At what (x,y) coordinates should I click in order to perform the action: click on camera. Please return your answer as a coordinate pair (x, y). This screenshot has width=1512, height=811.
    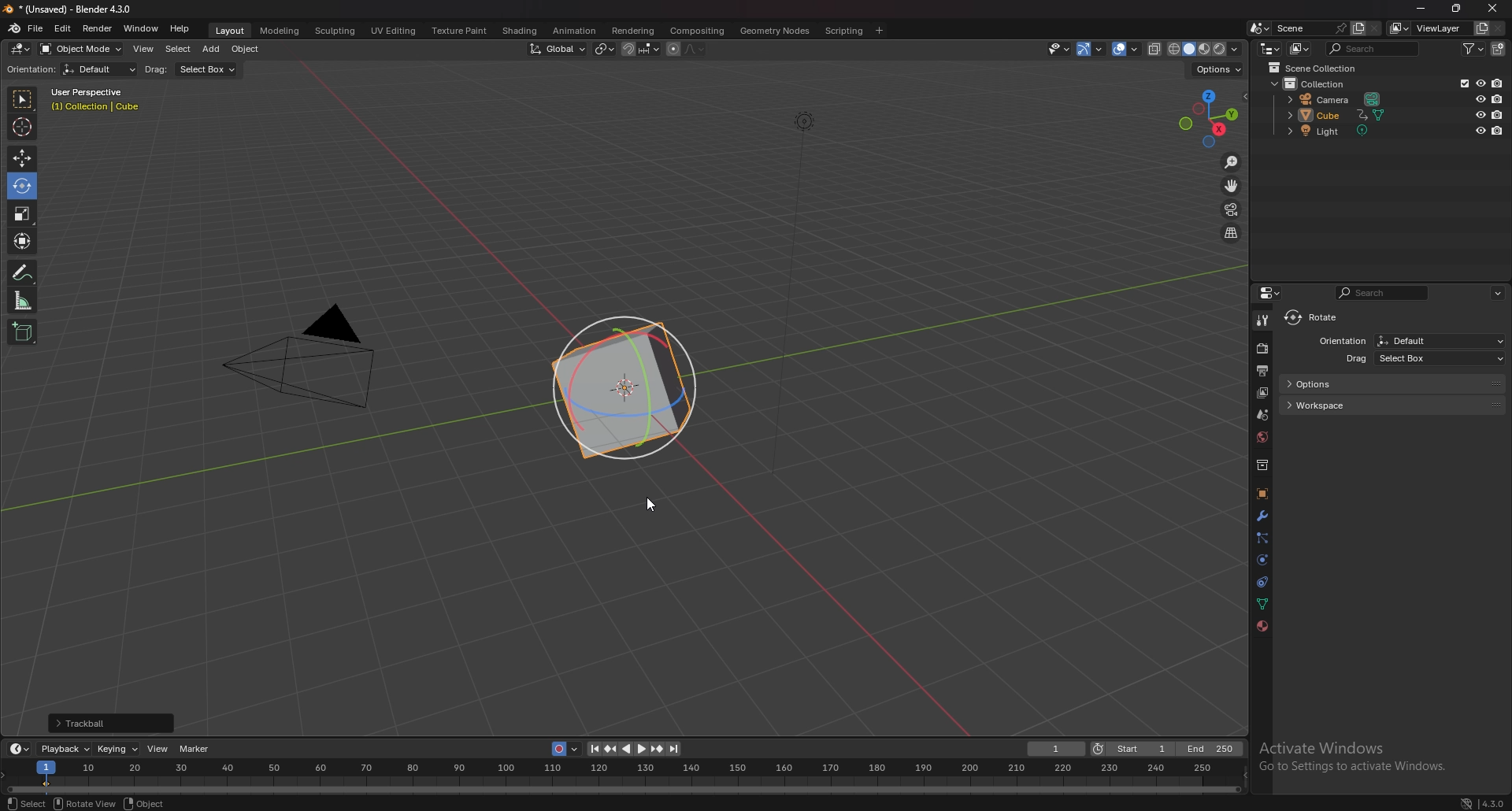
    Looking at the image, I should click on (314, 358).